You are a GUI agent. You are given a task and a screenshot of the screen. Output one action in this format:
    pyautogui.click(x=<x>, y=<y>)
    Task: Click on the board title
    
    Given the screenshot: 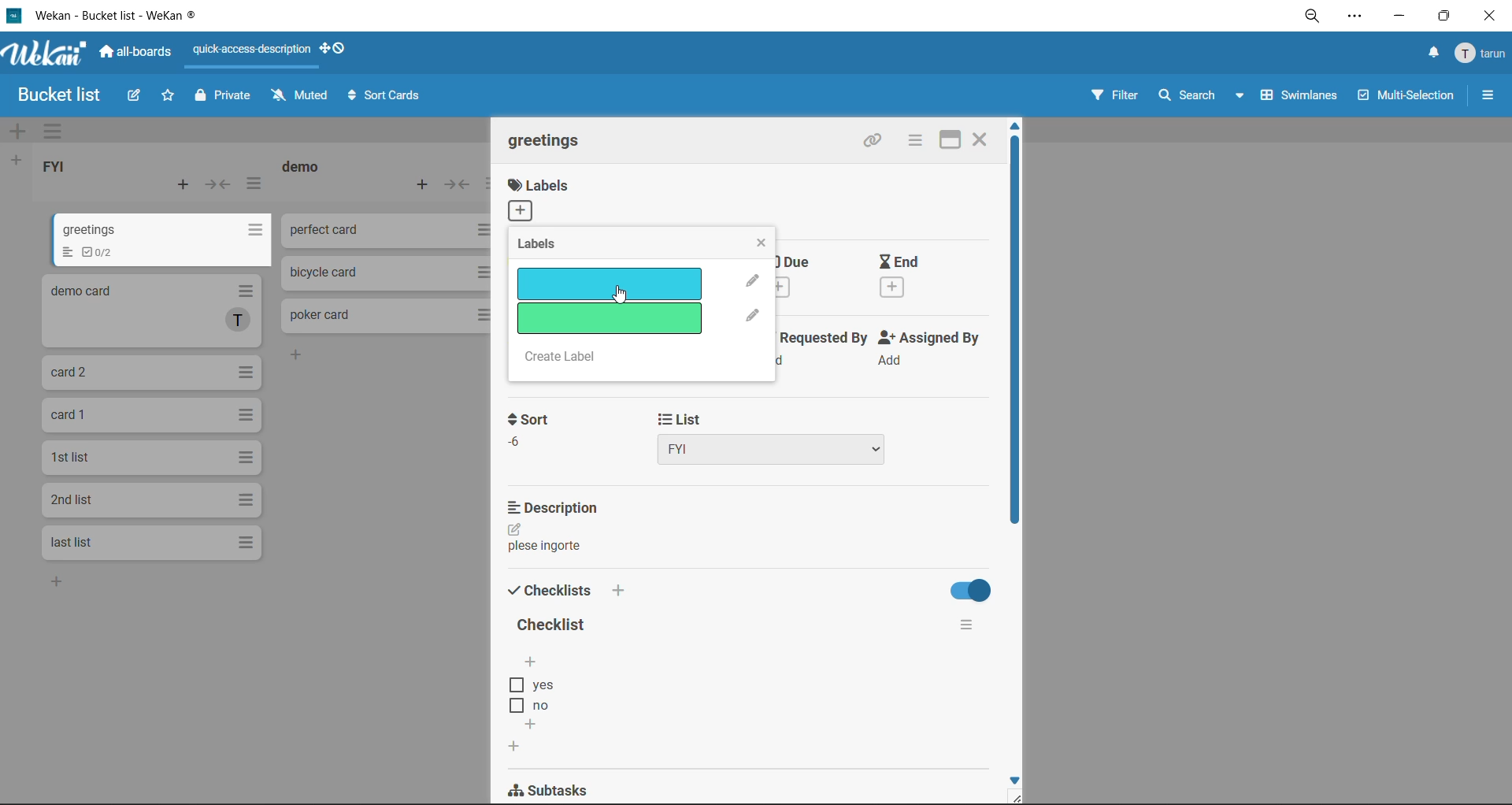 What is the action you would take?
    pyautogui.click(x=51, y=95)
    